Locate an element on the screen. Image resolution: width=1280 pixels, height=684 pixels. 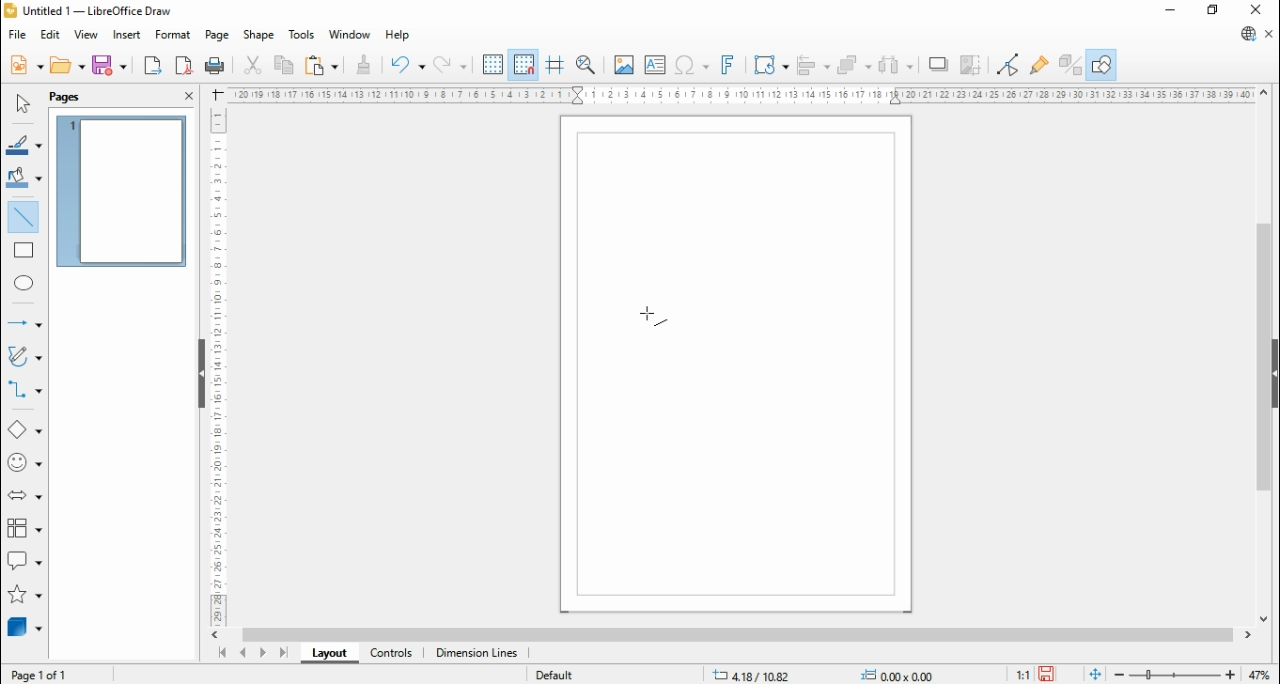
callout shapes is located at coordinates (25, 560).